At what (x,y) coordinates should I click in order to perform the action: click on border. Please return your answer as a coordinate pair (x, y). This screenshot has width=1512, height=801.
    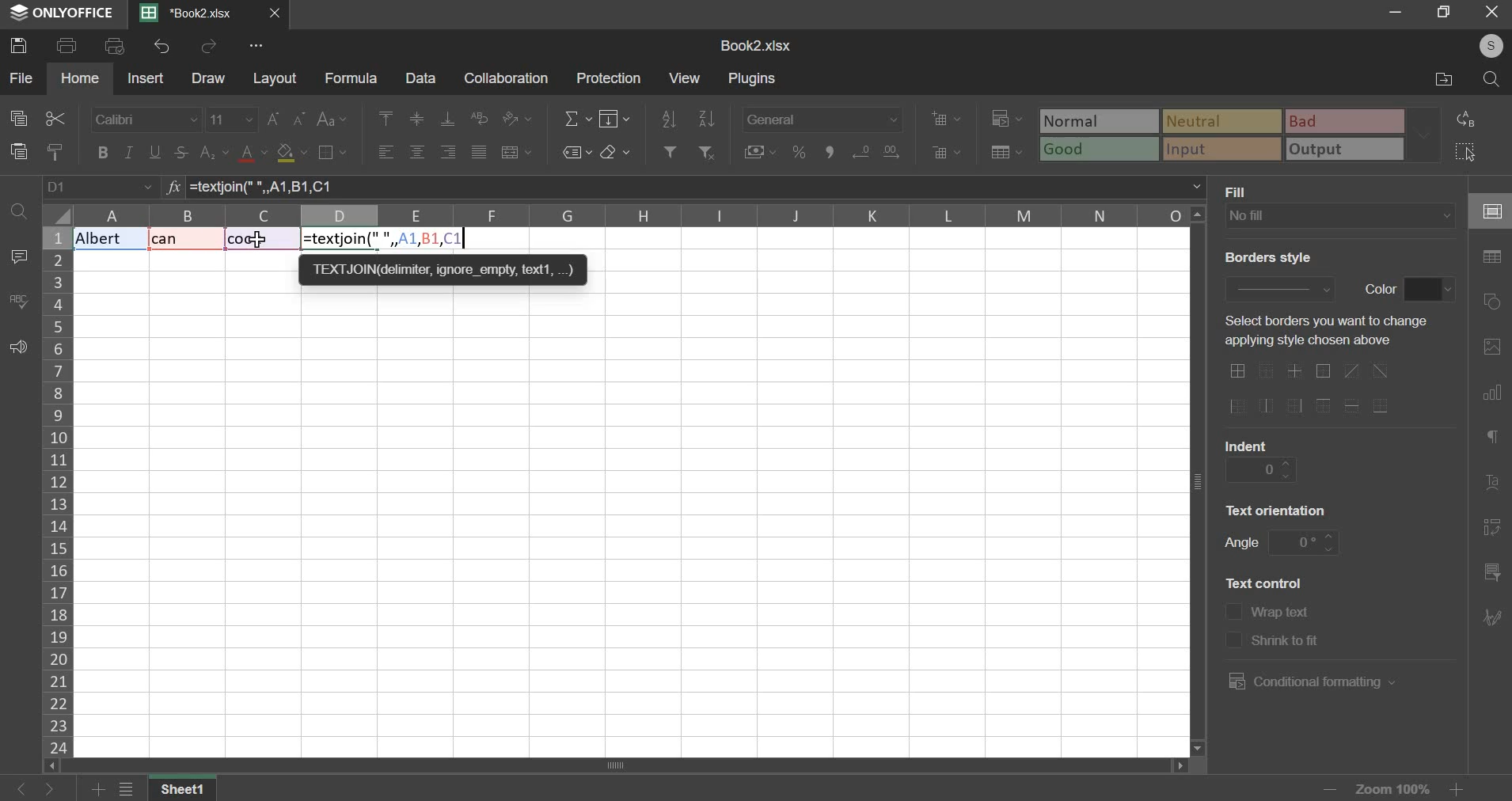
    Looking at the image, I should click on (332, 151).